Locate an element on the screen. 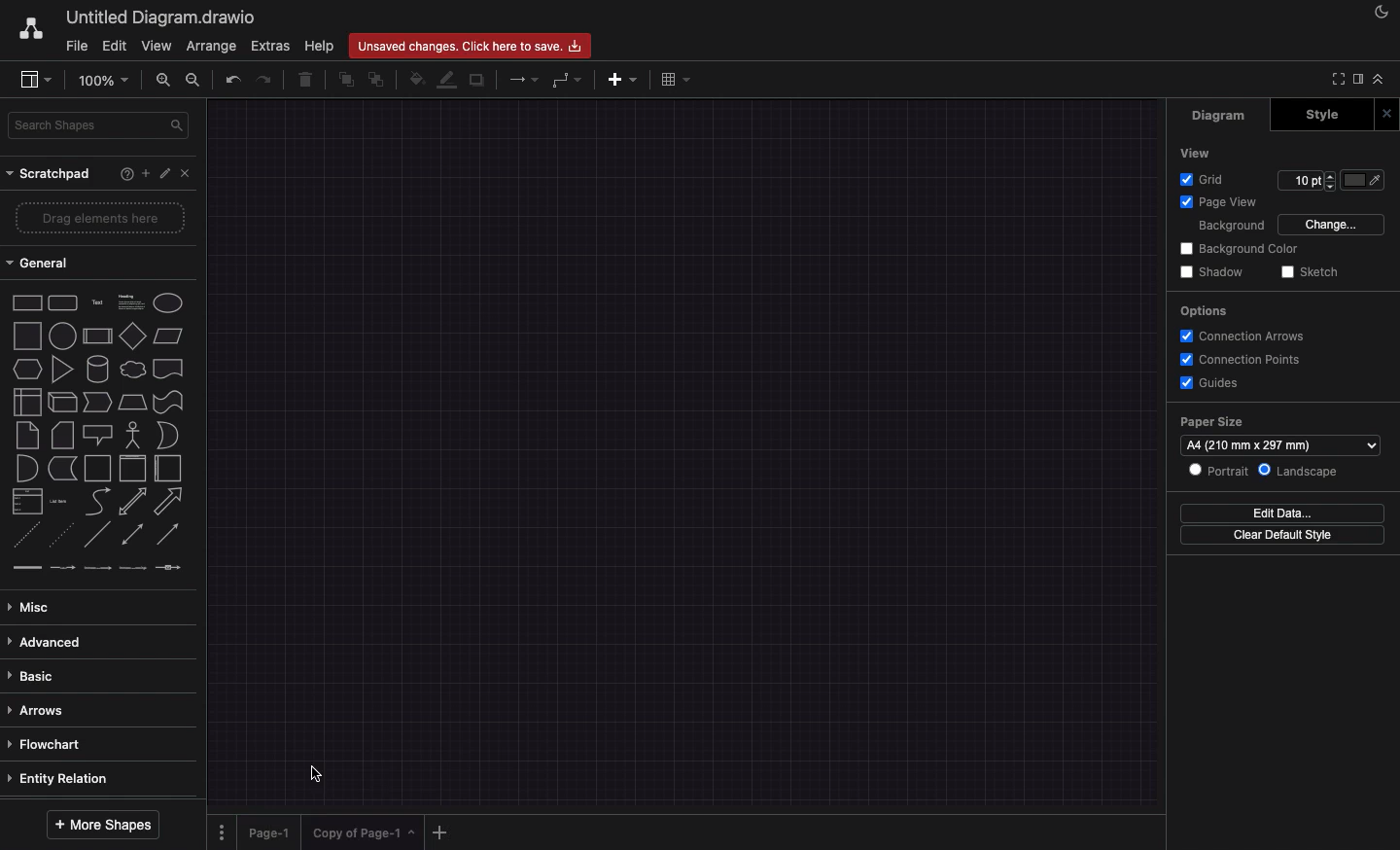 Image resolution: width=1400 pixels, height=850 pixels. connector with symbol is located at coordinates (169, 566).